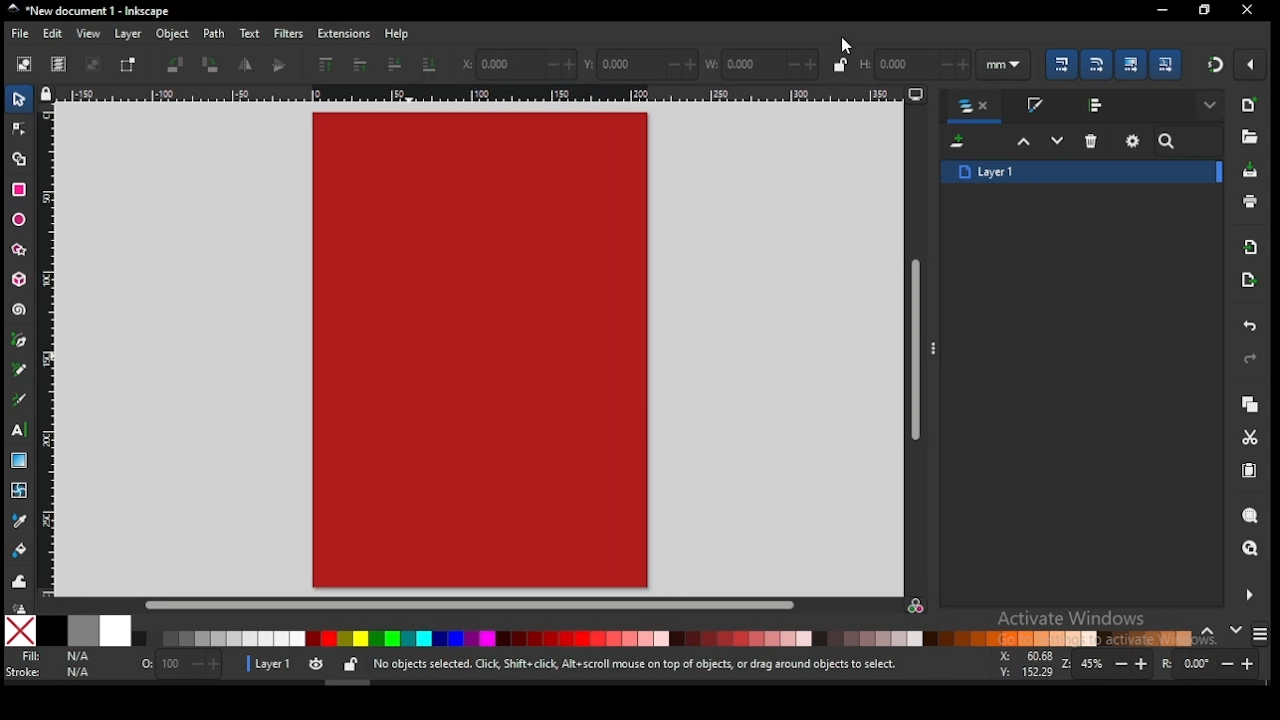 The image size is (1280, 720). What do you see at coordinates (913, 62) in the screenshot?
I see `height of selection` at bounding box center [913, 62].